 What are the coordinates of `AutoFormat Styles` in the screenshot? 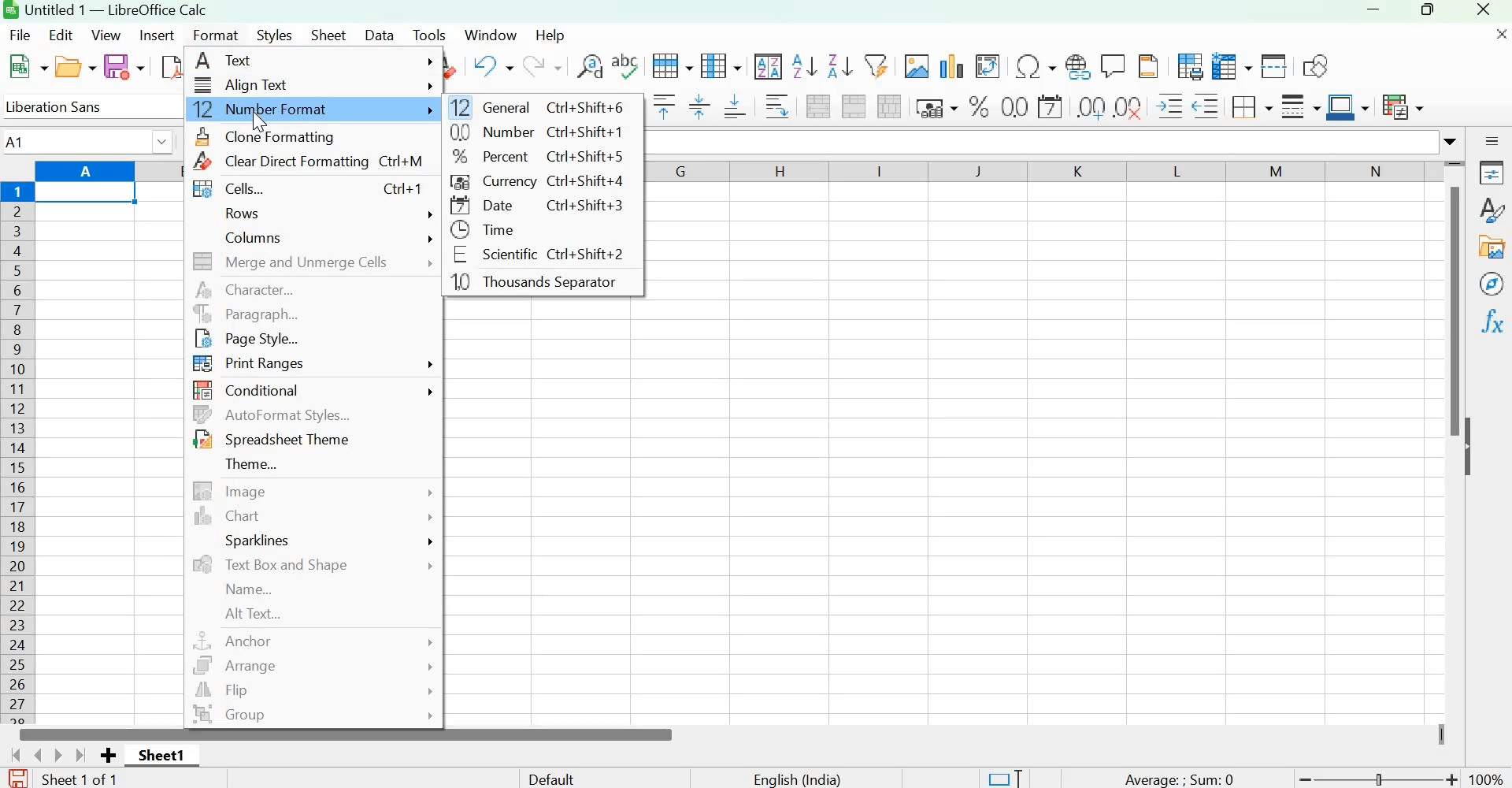 It's located at (273, 414).